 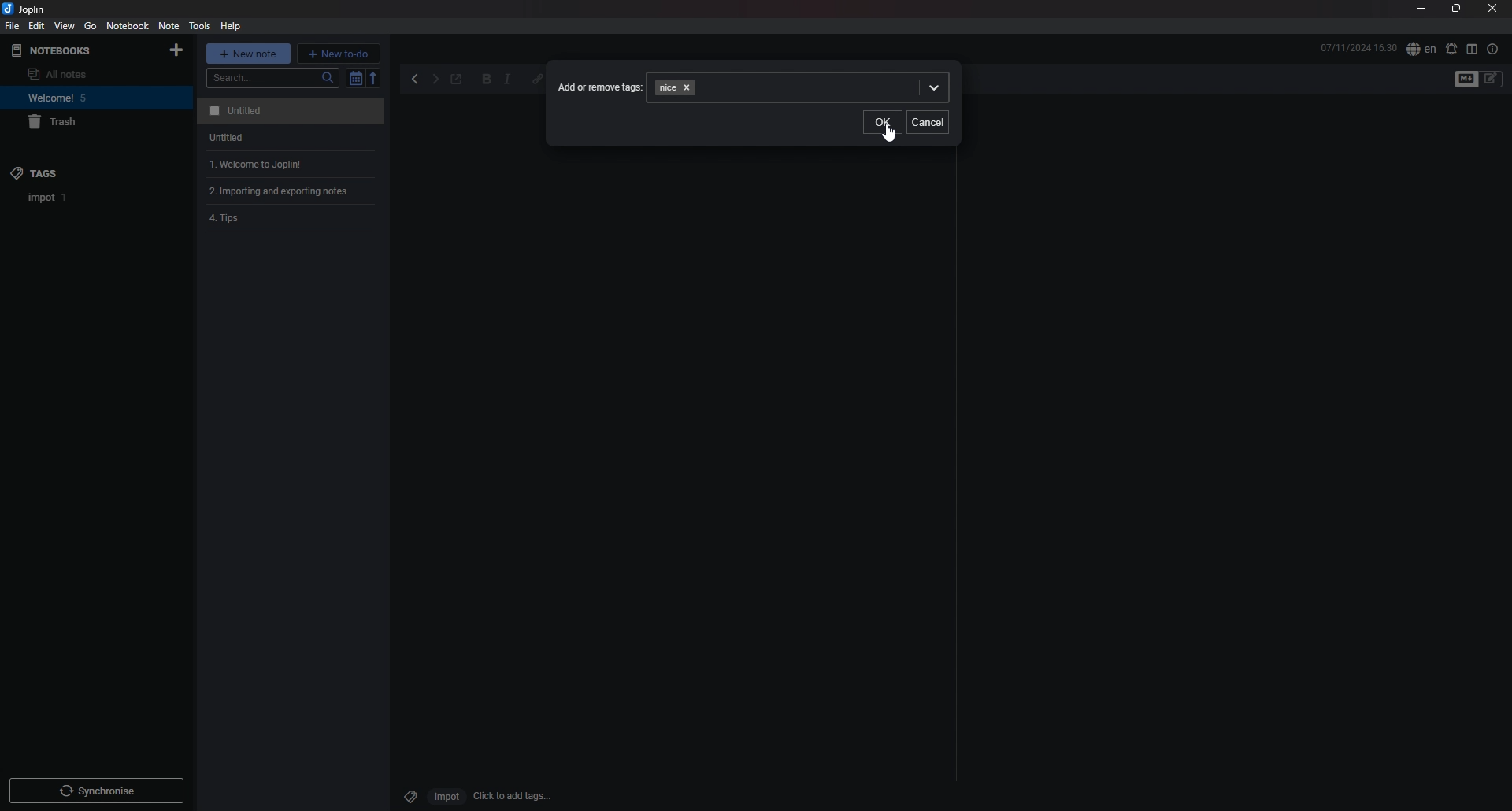 What do you see at coordinates (672, 87) in the screenshot?
I see `nice` at bounding box center [672, 87].